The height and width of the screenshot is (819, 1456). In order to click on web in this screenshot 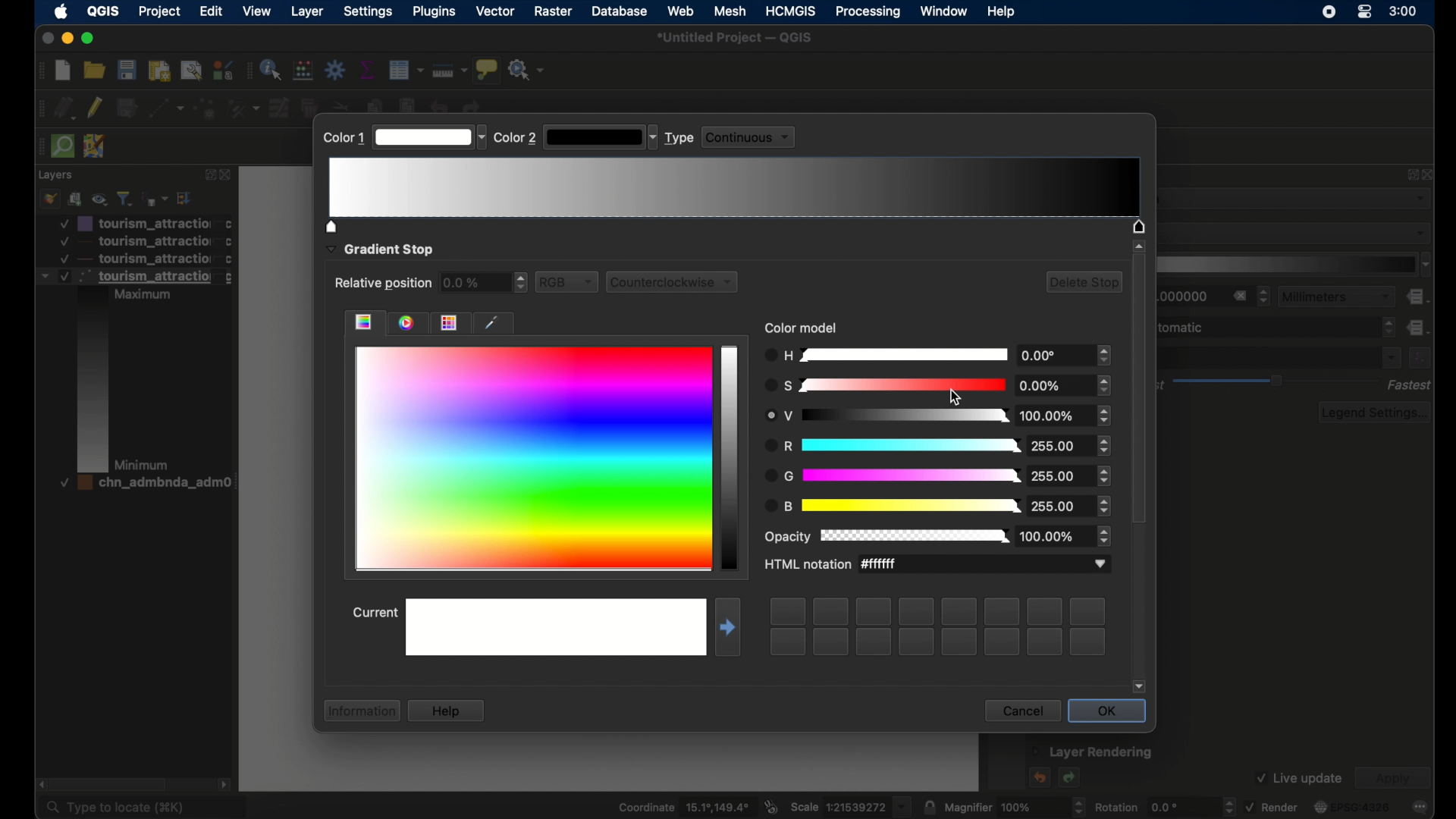, I will do `click(682, 10)`.